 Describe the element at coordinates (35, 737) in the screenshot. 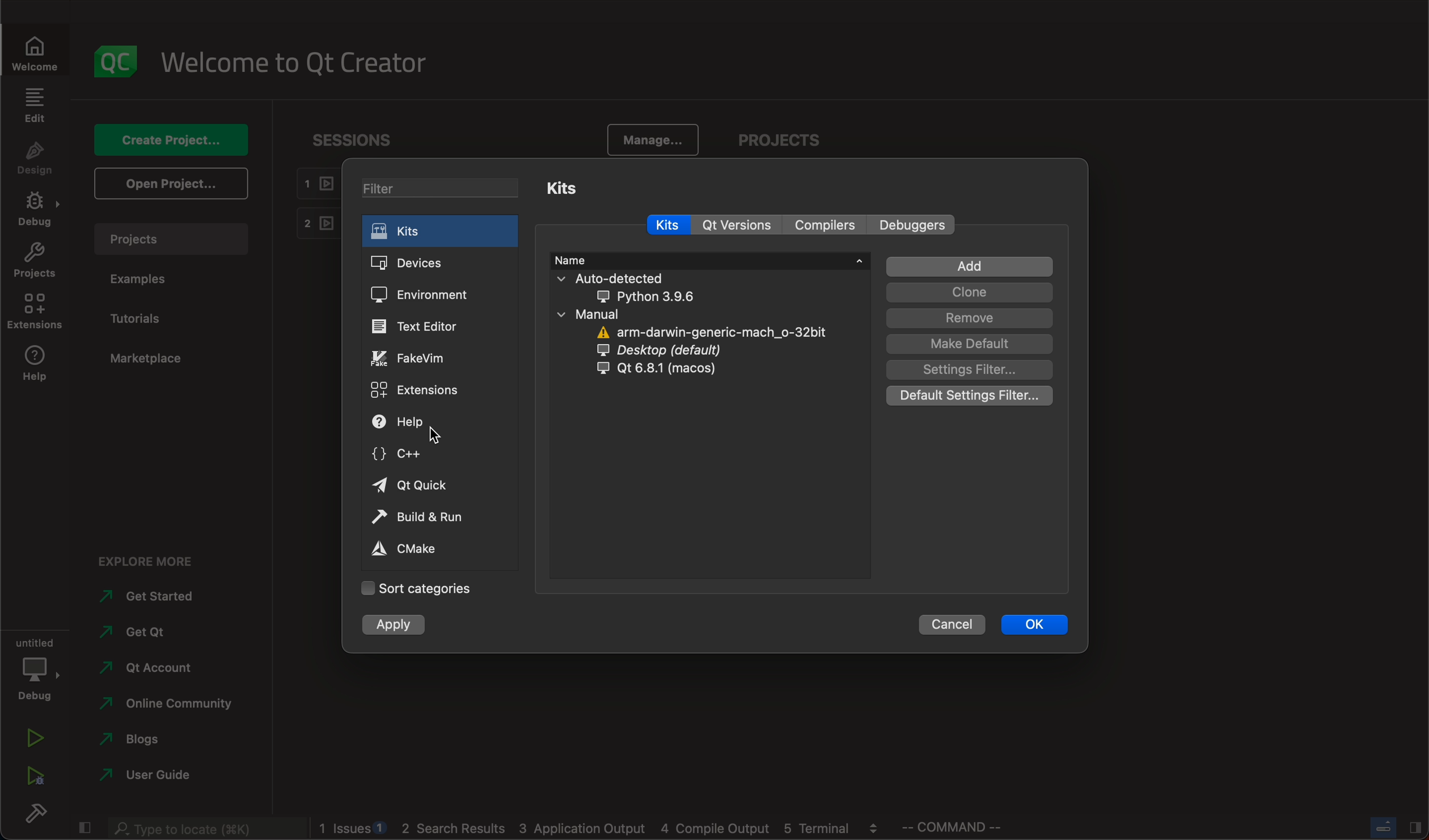

I see `run` at that location.